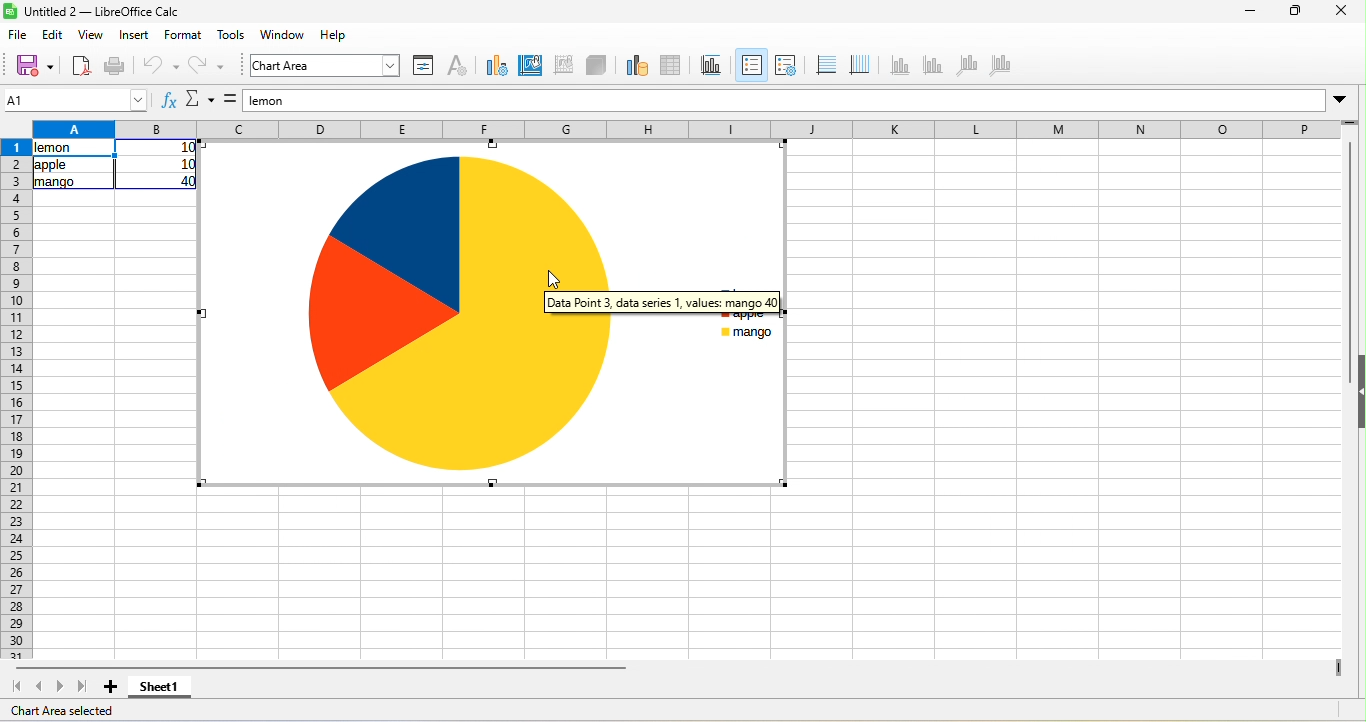  I want to click on window, so click(285, 36).